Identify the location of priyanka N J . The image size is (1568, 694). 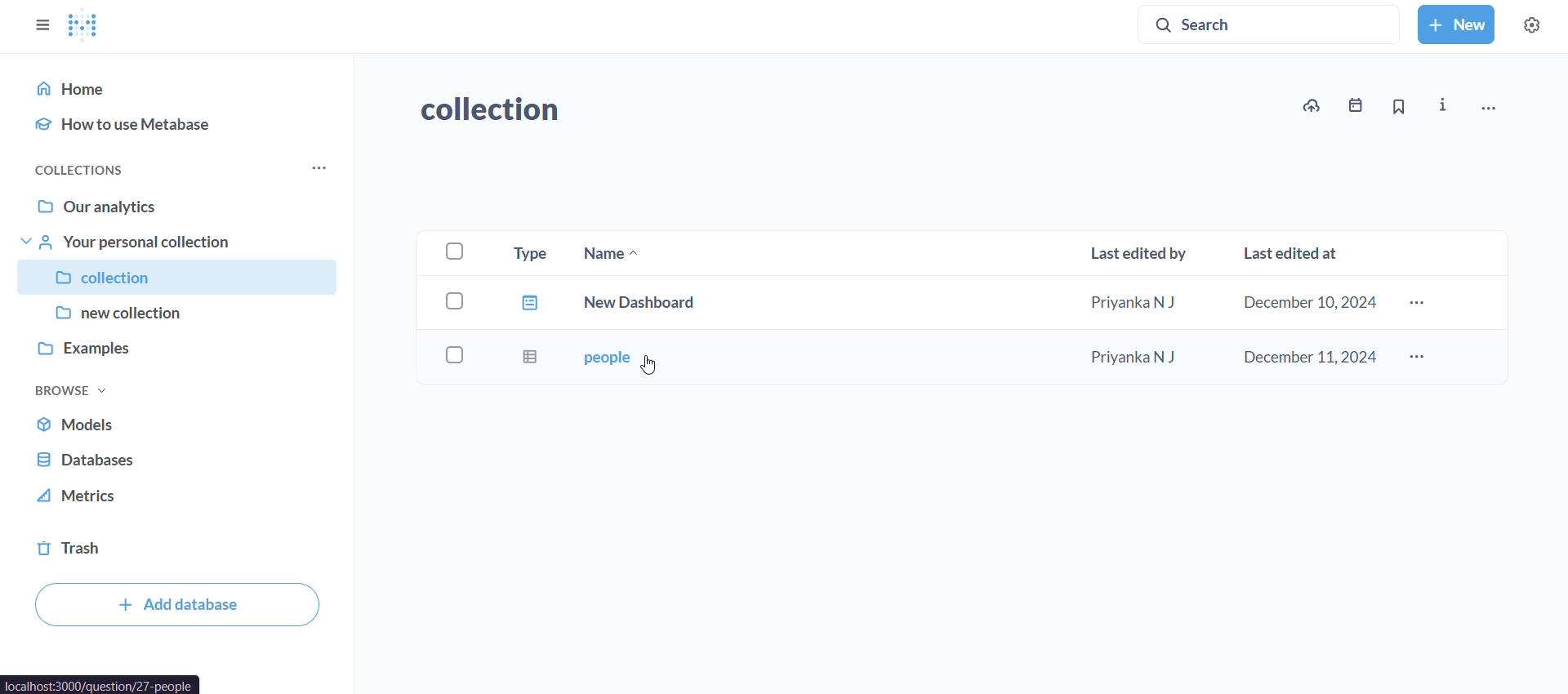
(1130, 300).